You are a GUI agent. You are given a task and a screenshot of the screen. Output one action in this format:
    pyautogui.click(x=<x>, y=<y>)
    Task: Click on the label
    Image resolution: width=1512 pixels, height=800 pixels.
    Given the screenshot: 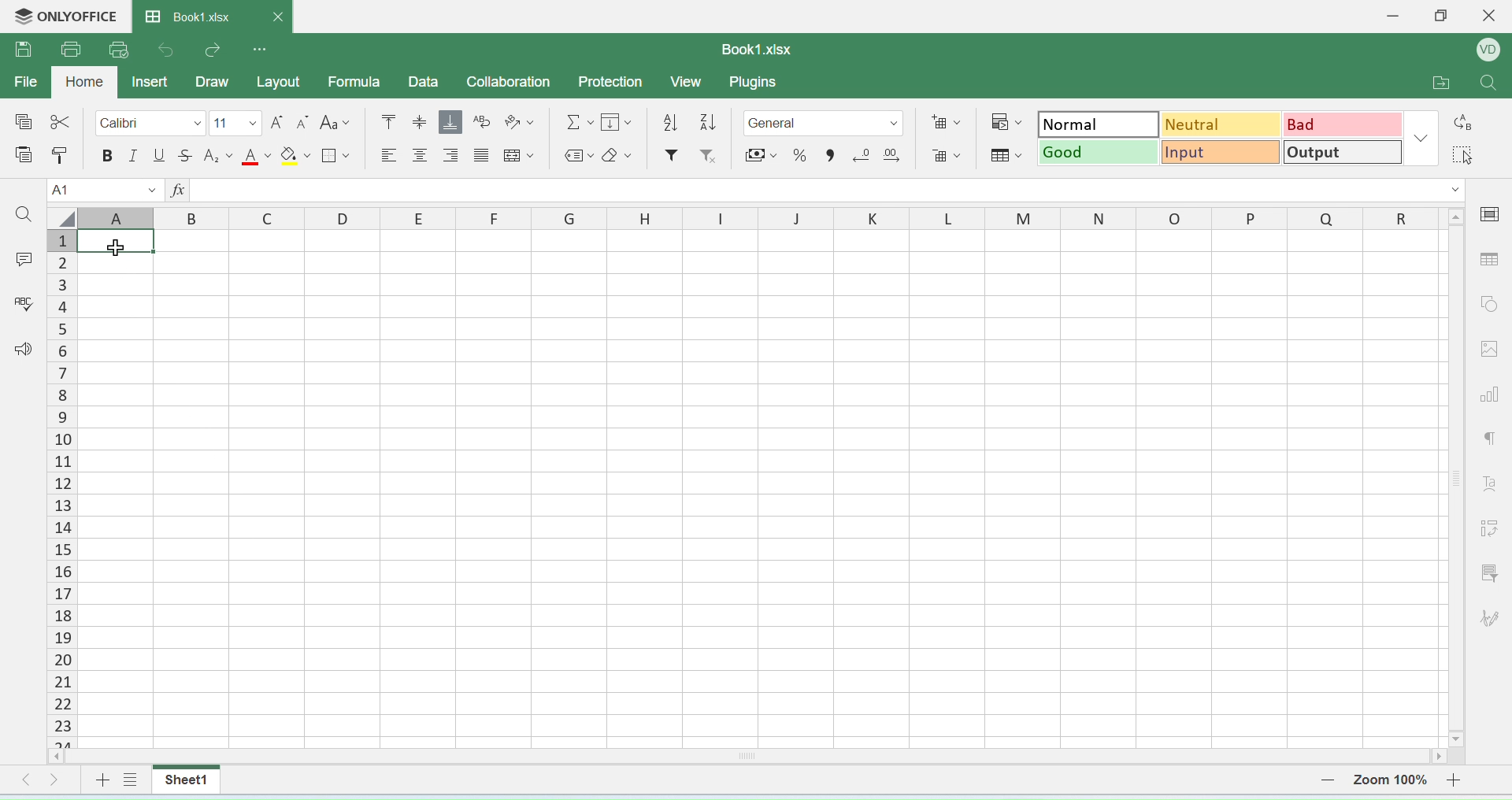 What is the action you would take?
    pyautogui.click(x=576, y=158)
    